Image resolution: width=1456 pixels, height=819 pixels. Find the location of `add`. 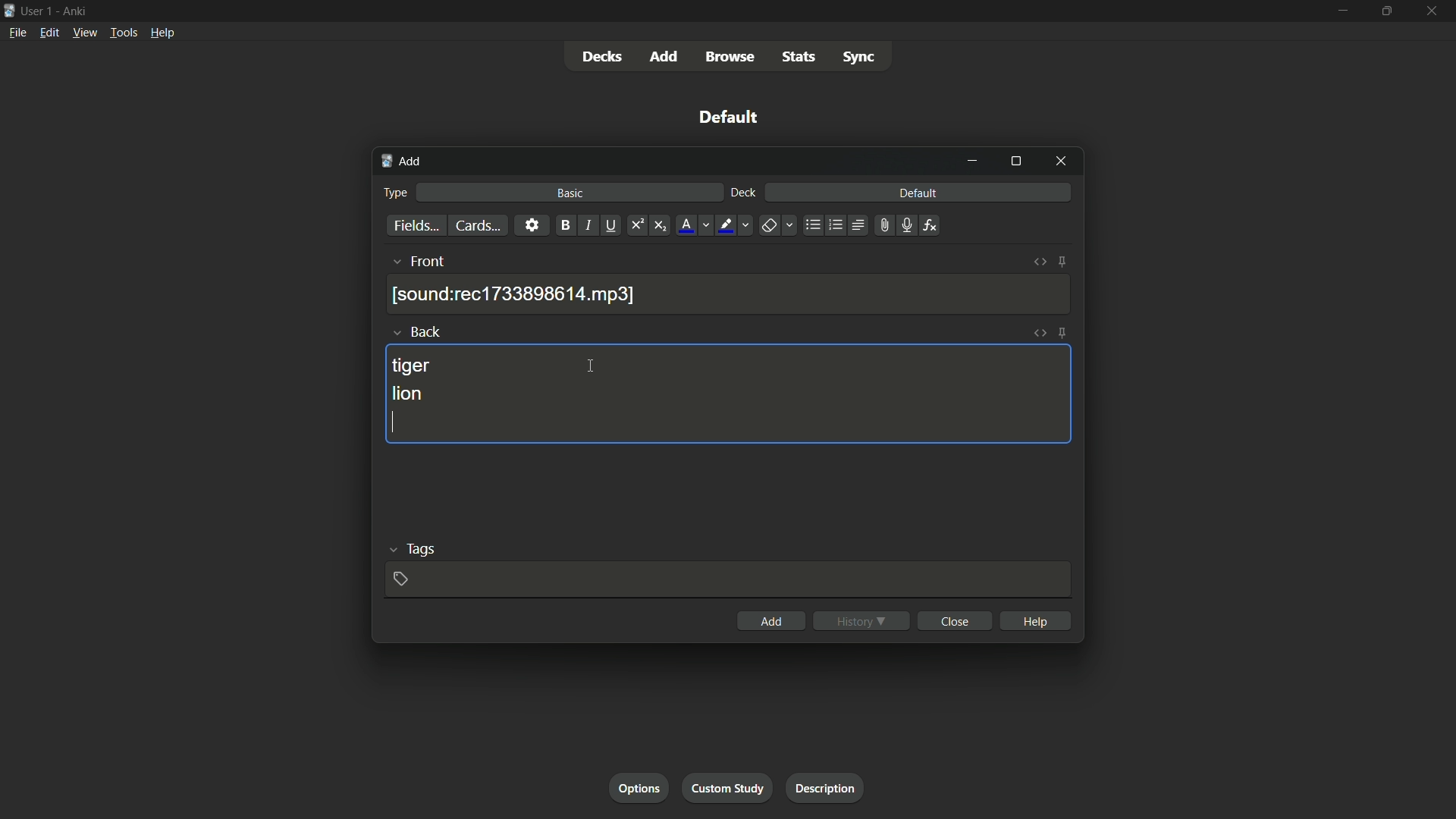

add is located at coordinates (770, 621).